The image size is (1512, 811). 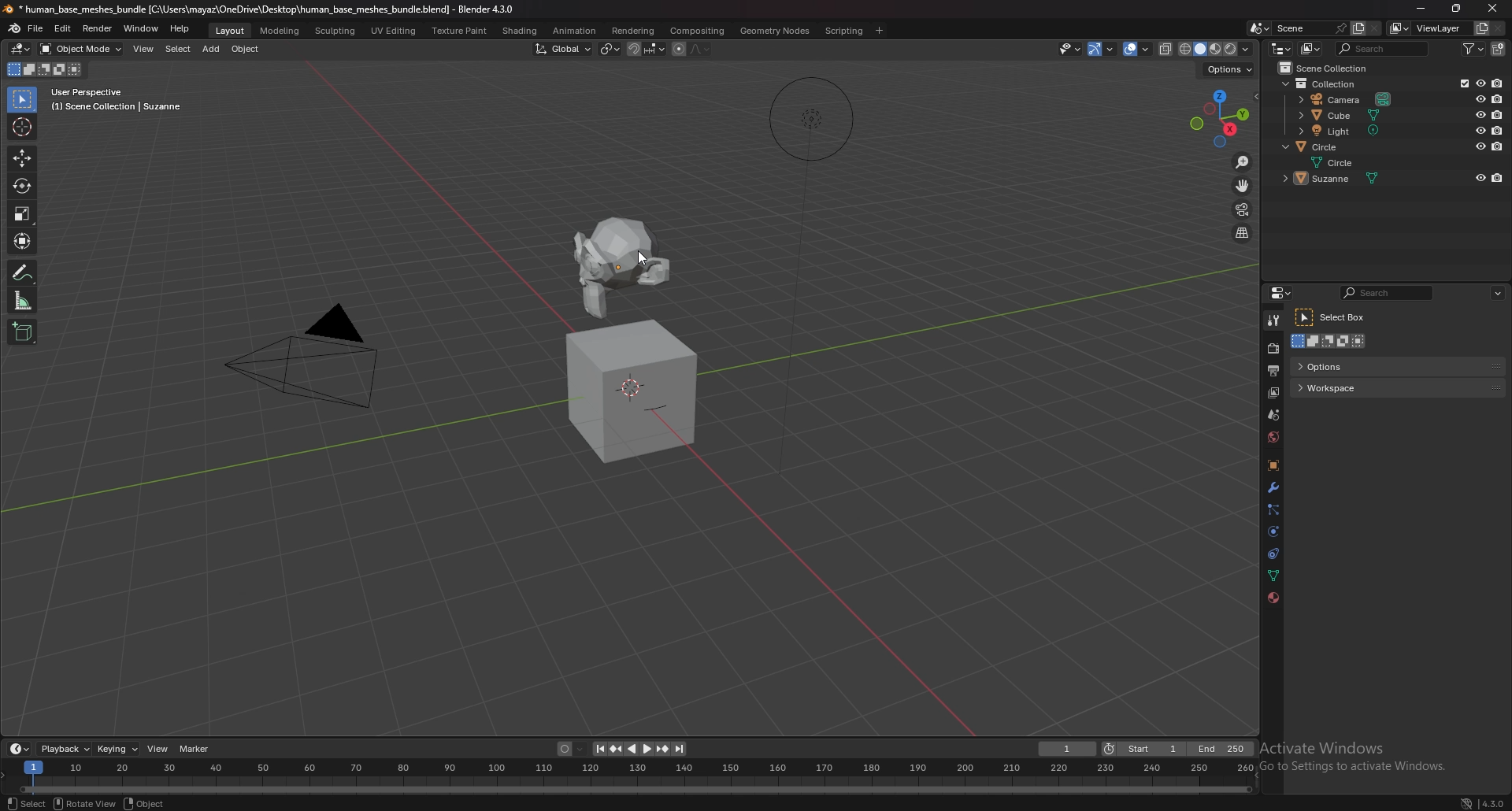 I want to click on hide in viewport, so click(x=1477, y=114).